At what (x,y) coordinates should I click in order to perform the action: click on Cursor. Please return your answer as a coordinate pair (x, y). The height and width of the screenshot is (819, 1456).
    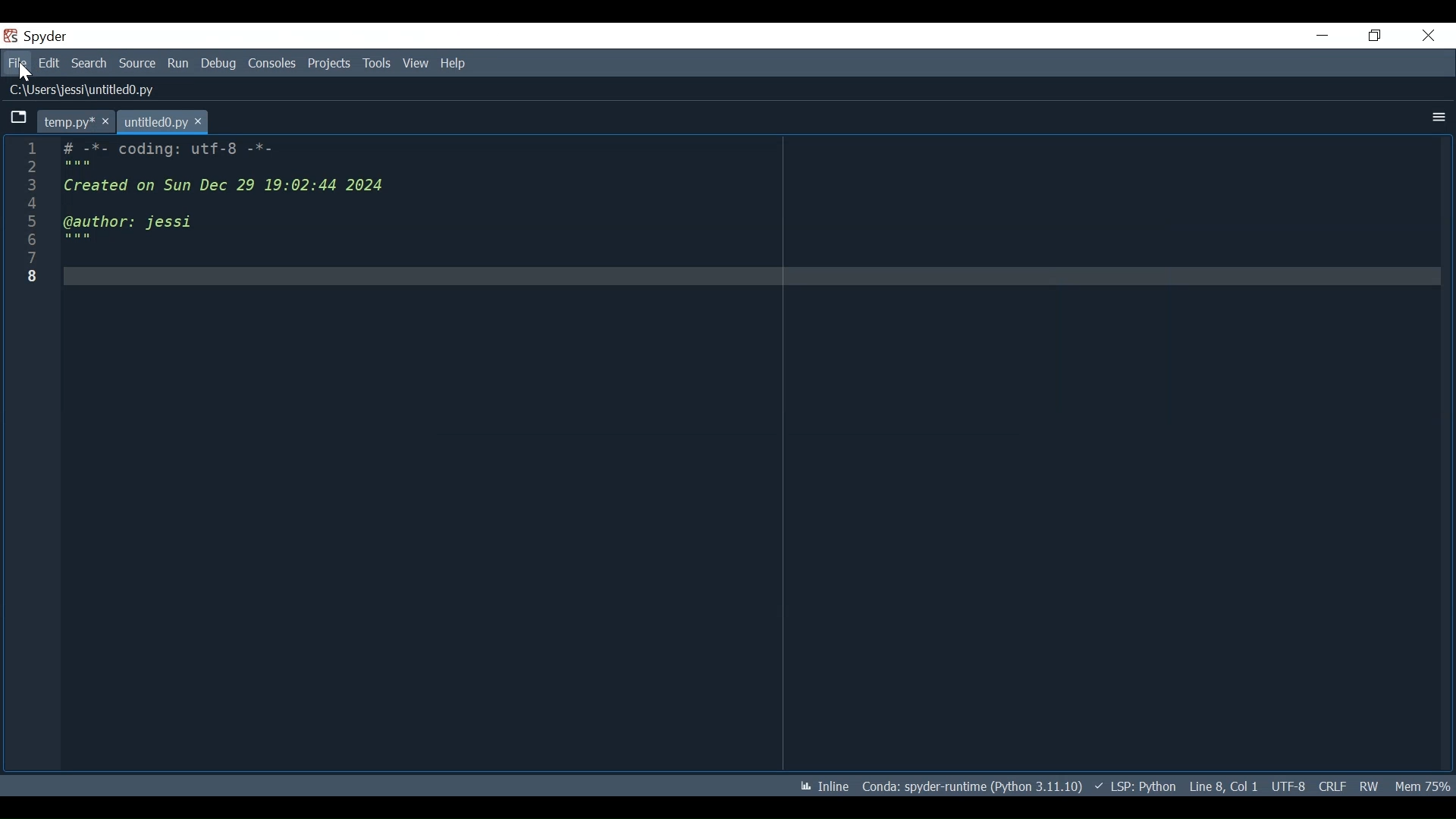
    Looking at the image, I should click on (24, 73).